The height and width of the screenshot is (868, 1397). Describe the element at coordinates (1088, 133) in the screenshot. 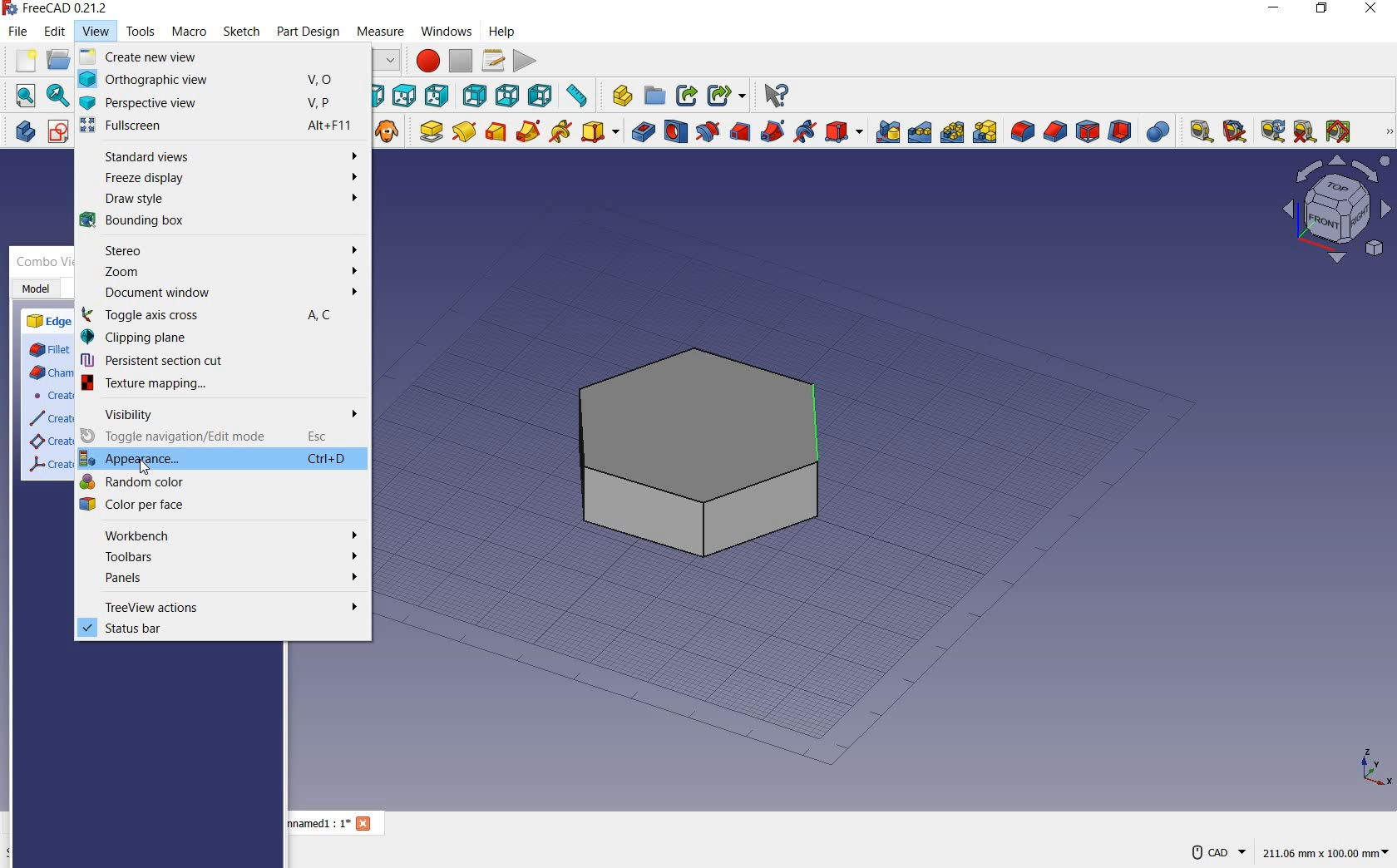

I see `draft` at that location.